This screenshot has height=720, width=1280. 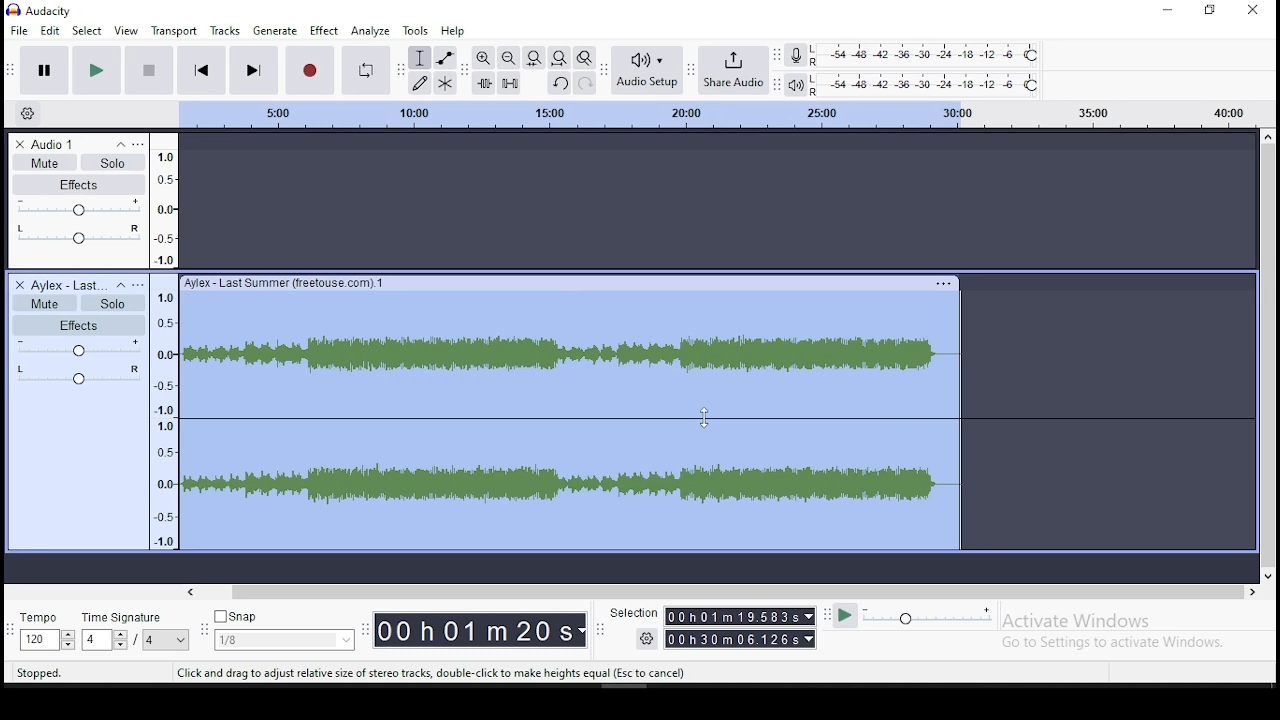 I want to click on solo, so click(x=113, y=162).